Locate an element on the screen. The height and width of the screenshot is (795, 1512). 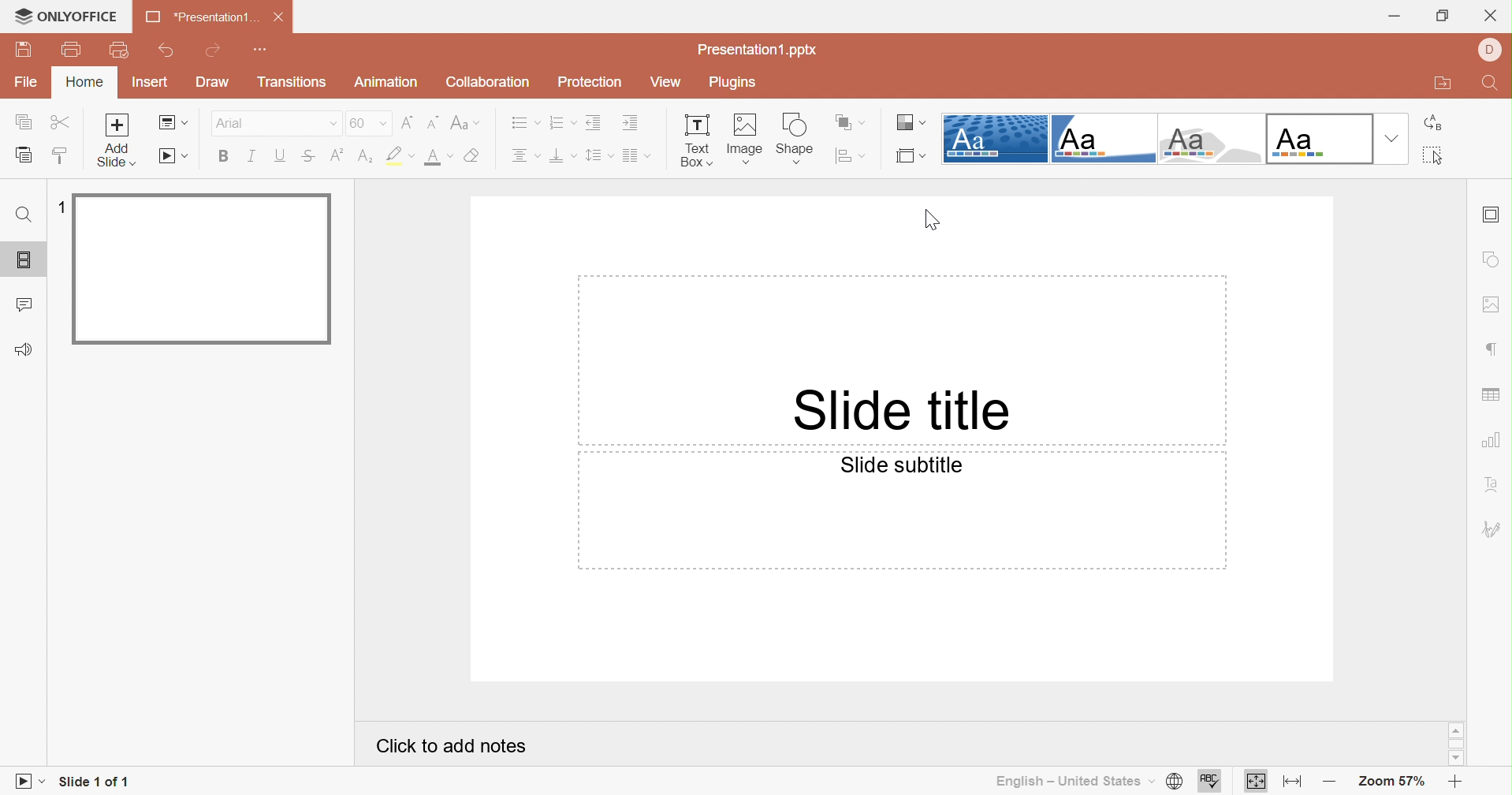
Vertical align is located at coordinates (560, 155).